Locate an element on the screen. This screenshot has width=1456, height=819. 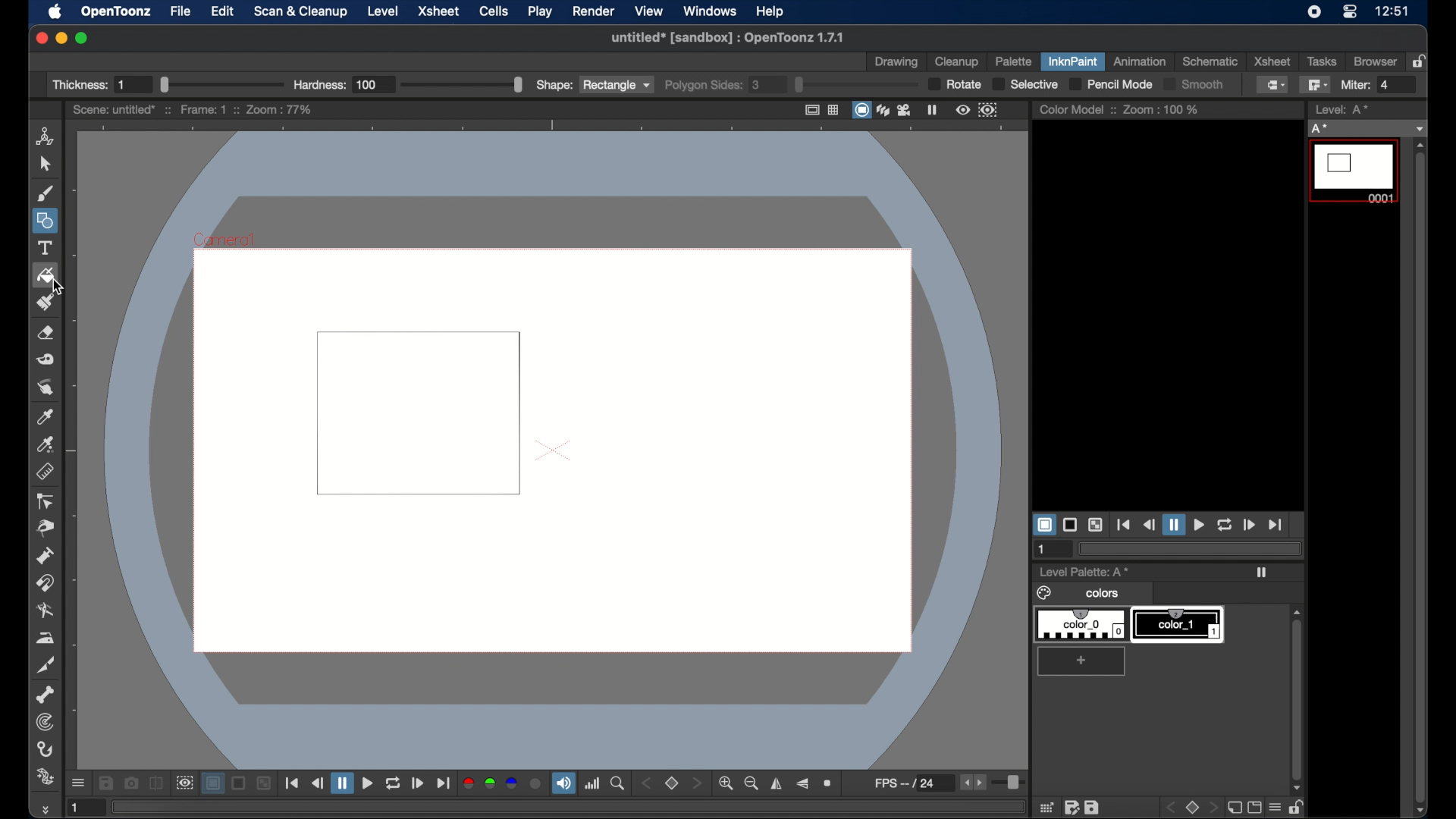
new page is located at coordinates (1232, 806).